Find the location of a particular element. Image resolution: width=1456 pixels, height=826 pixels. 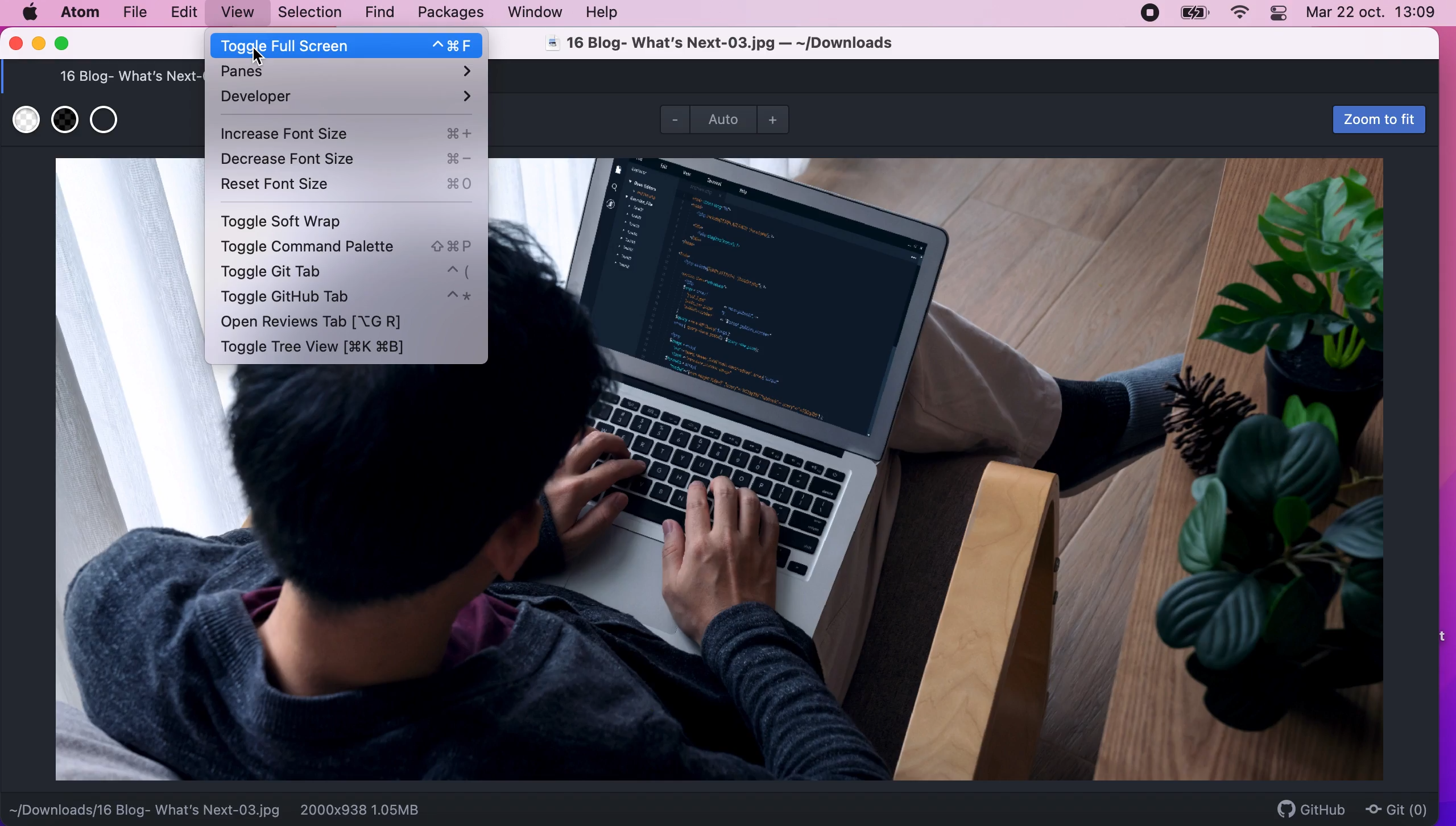

use black transparent background is located at coordinates (65, 120).